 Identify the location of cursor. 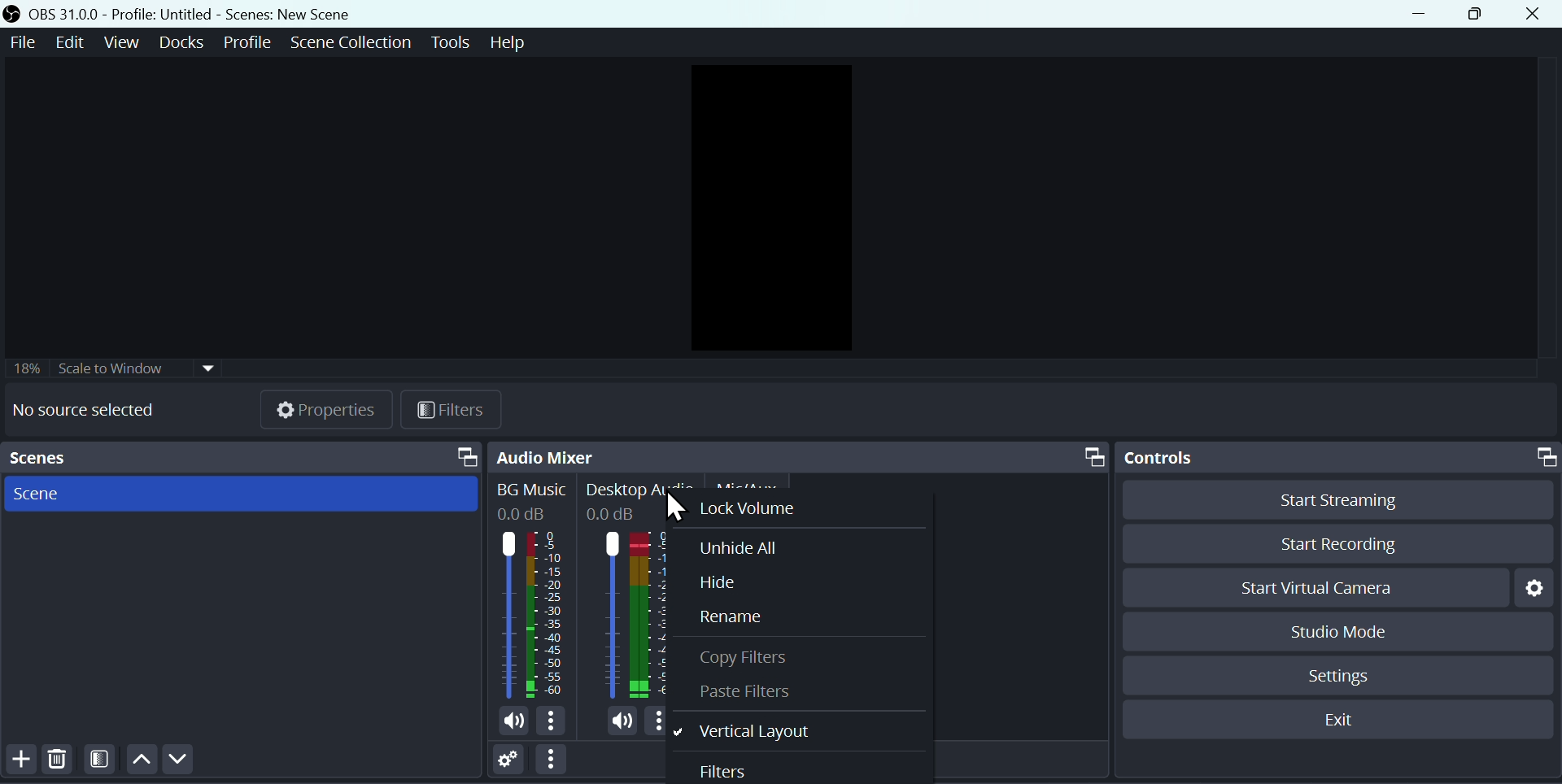
(678, 507).